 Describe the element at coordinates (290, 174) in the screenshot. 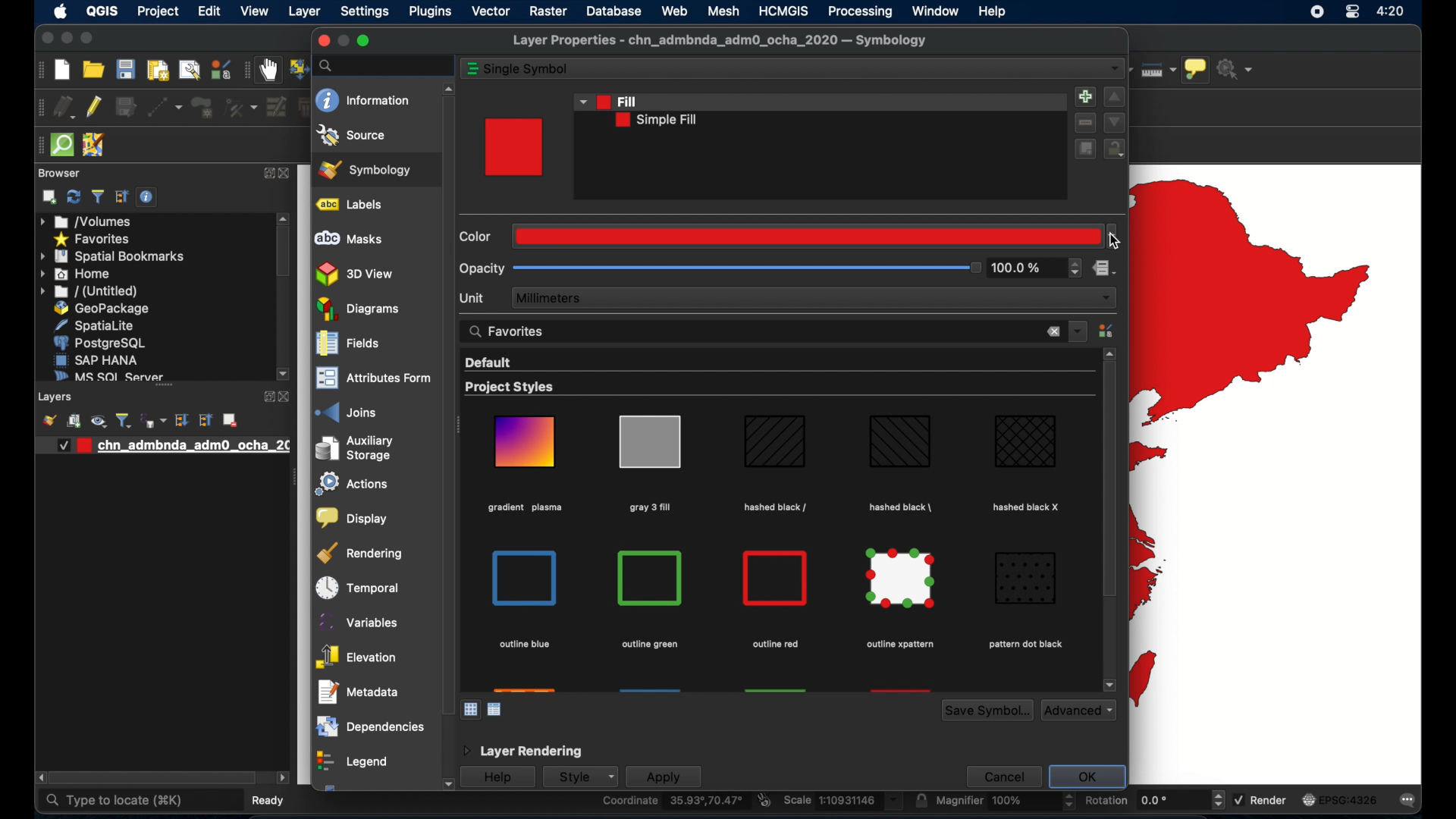

I see `close` at that location.